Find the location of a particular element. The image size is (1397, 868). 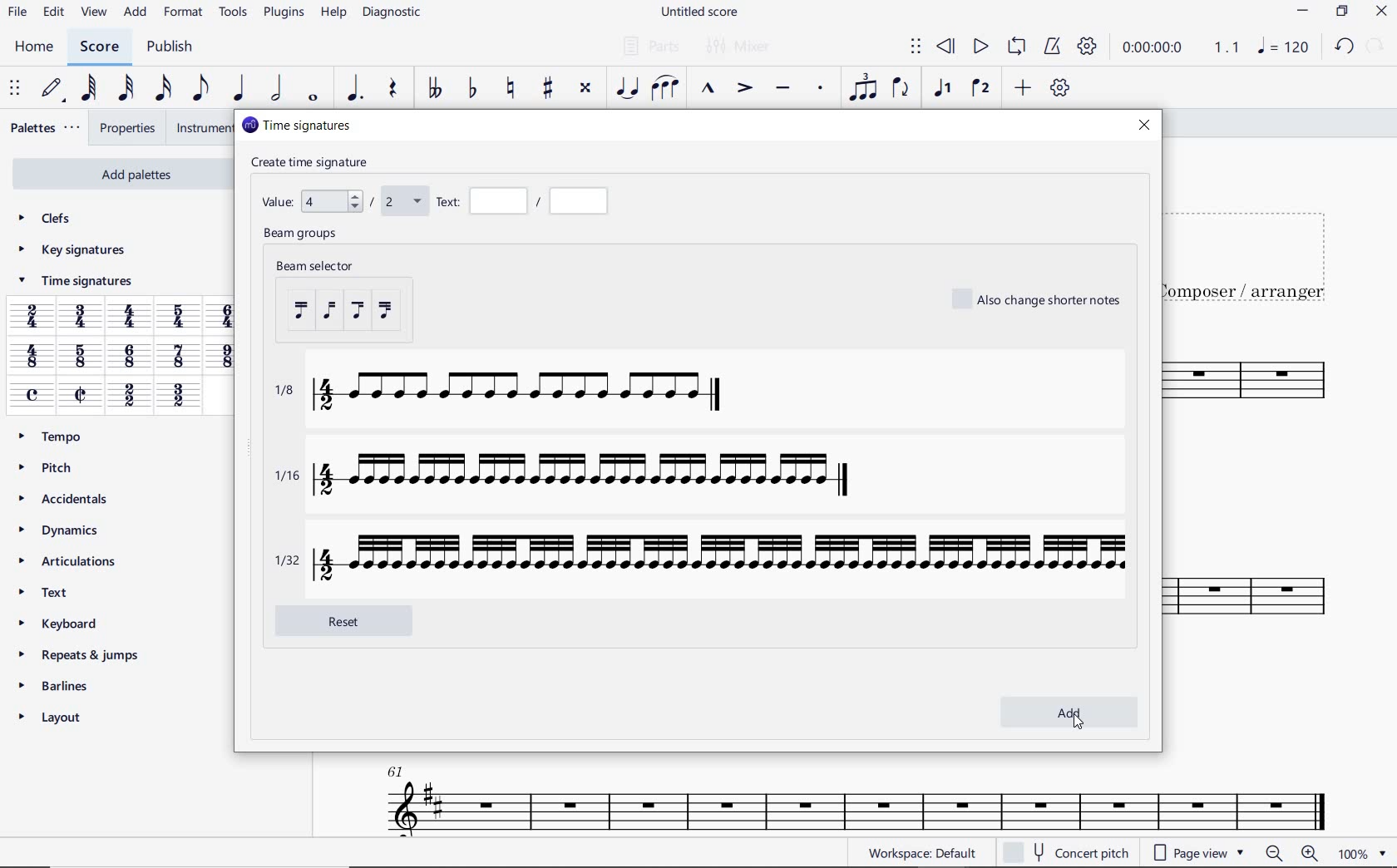

32ND NOTE is located at coordinates (126, 89).